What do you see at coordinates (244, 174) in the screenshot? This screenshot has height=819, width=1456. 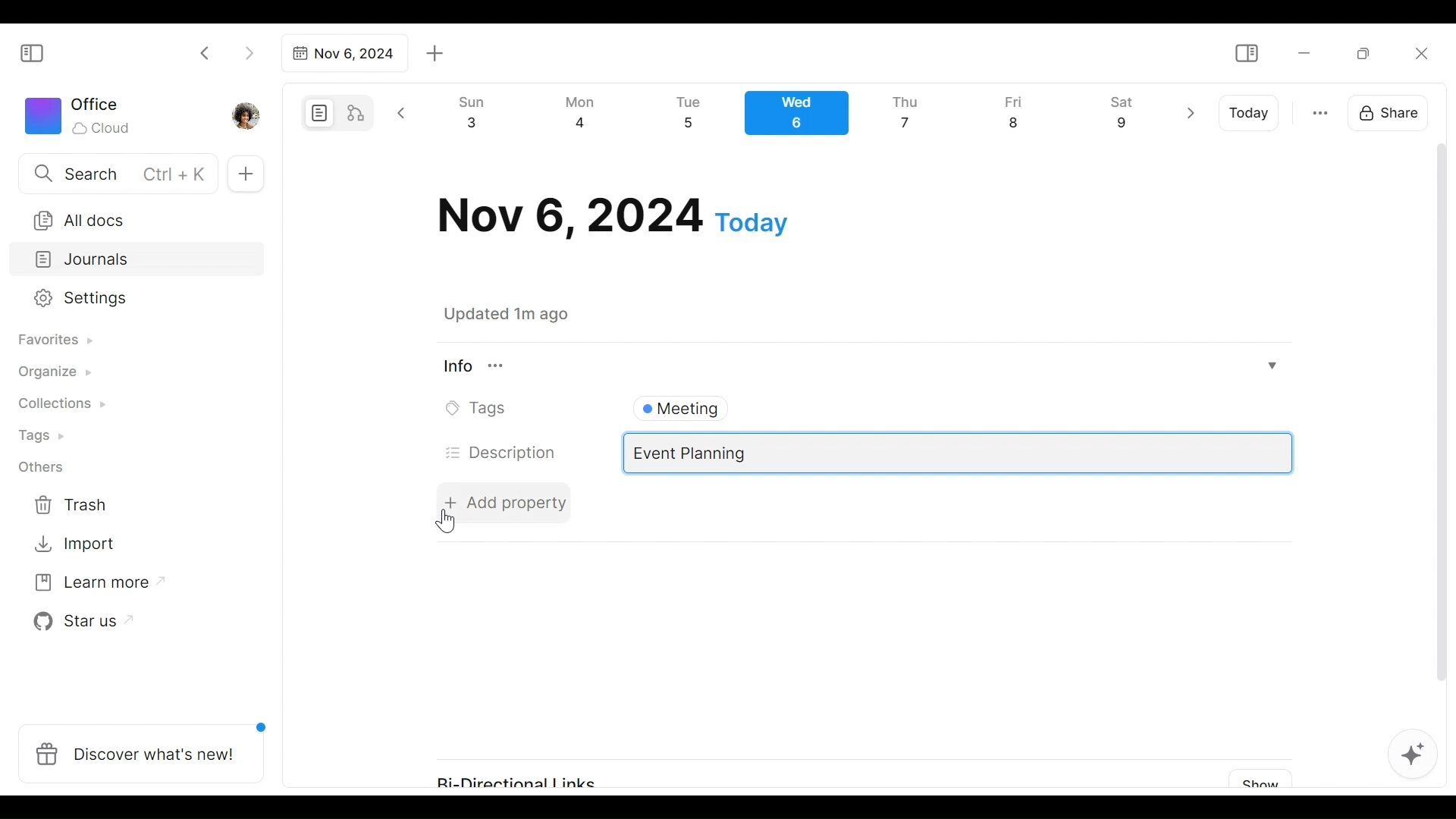 I see `Add new ` at bounding box center [244, 174].